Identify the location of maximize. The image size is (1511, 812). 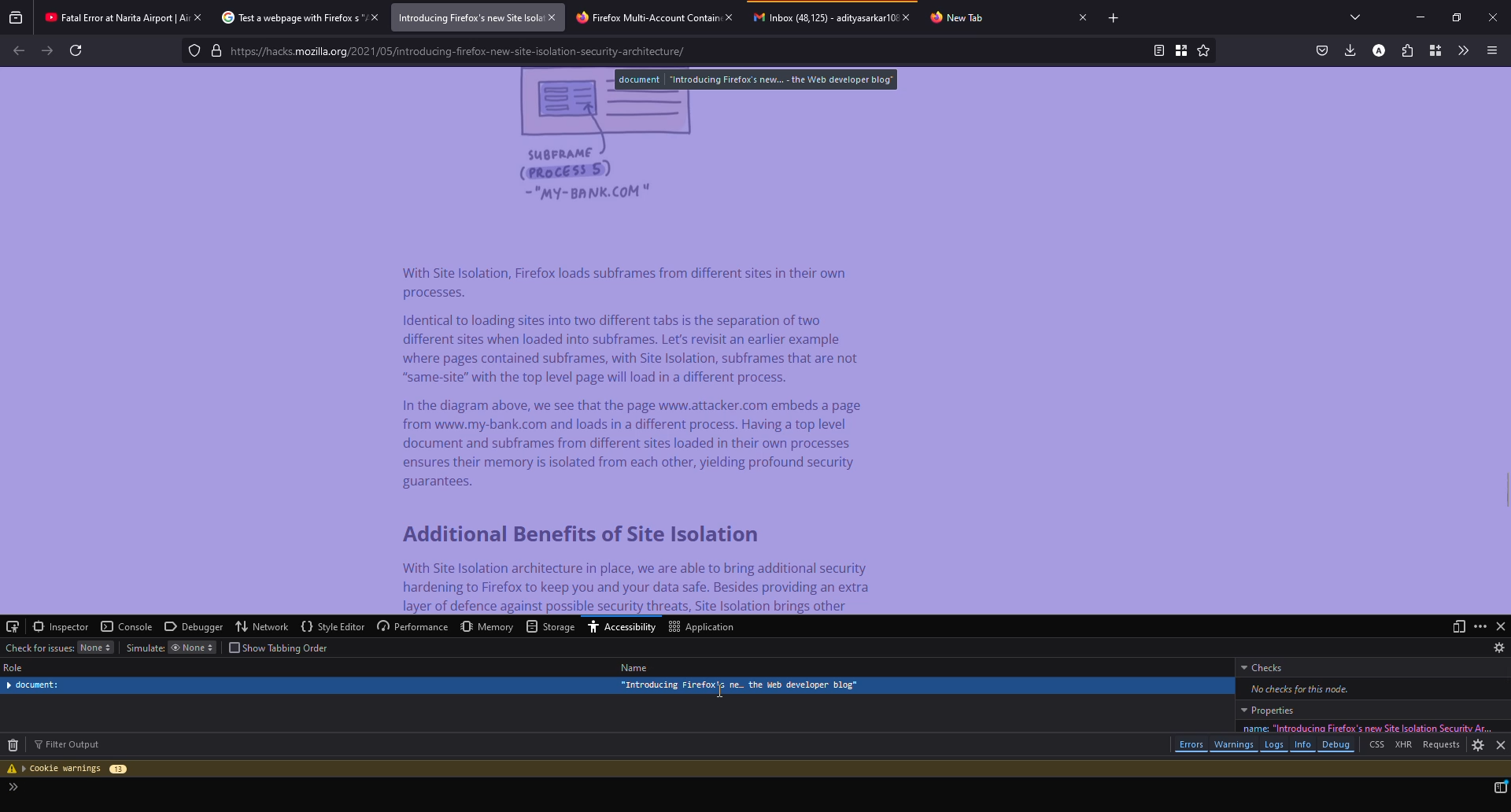
(1454, 17).